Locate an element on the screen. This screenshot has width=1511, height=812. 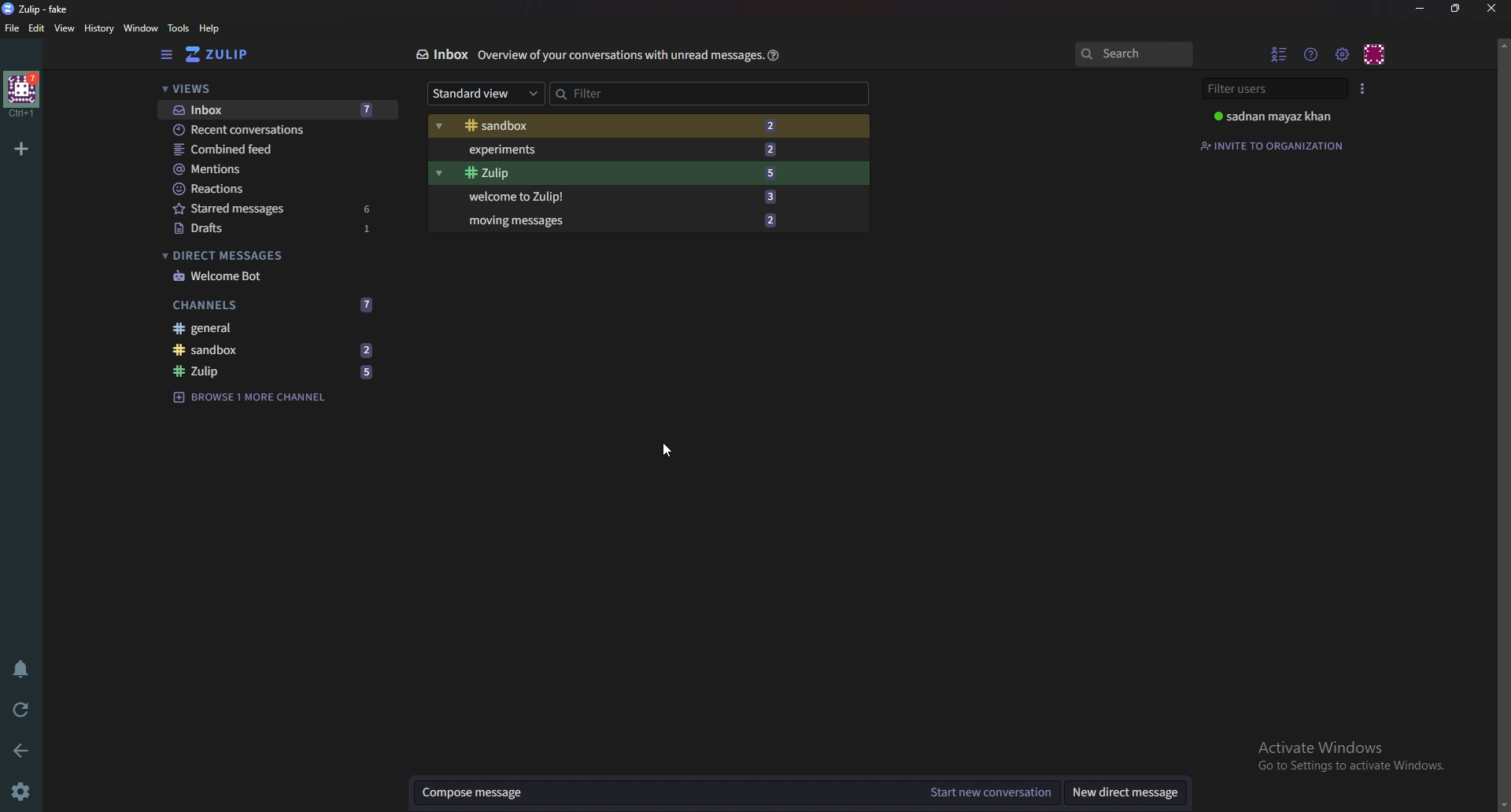
help is located at coordinates (772, 54).